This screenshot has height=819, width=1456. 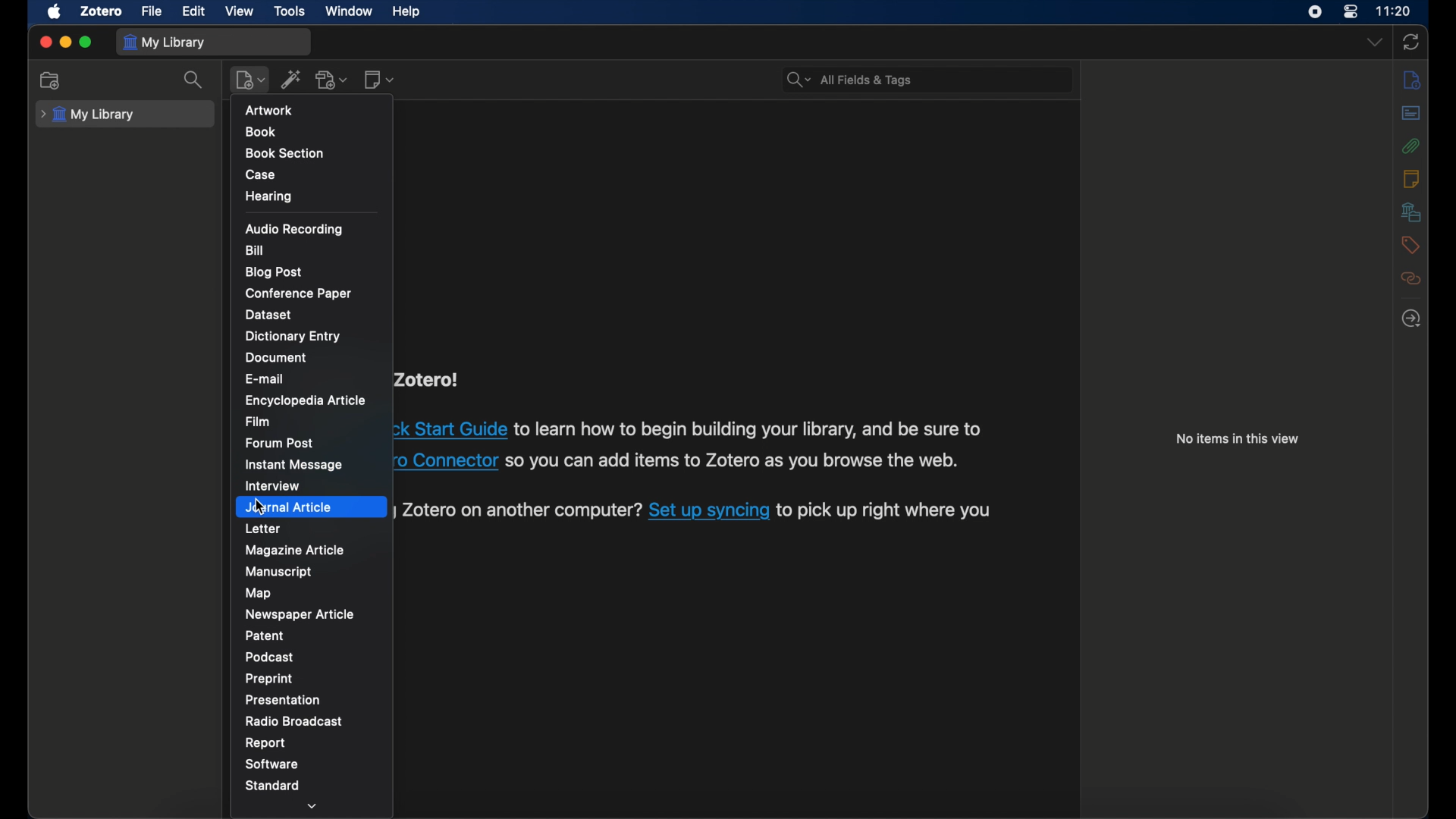 I want to click on sync, so click(x=1411, y=42).